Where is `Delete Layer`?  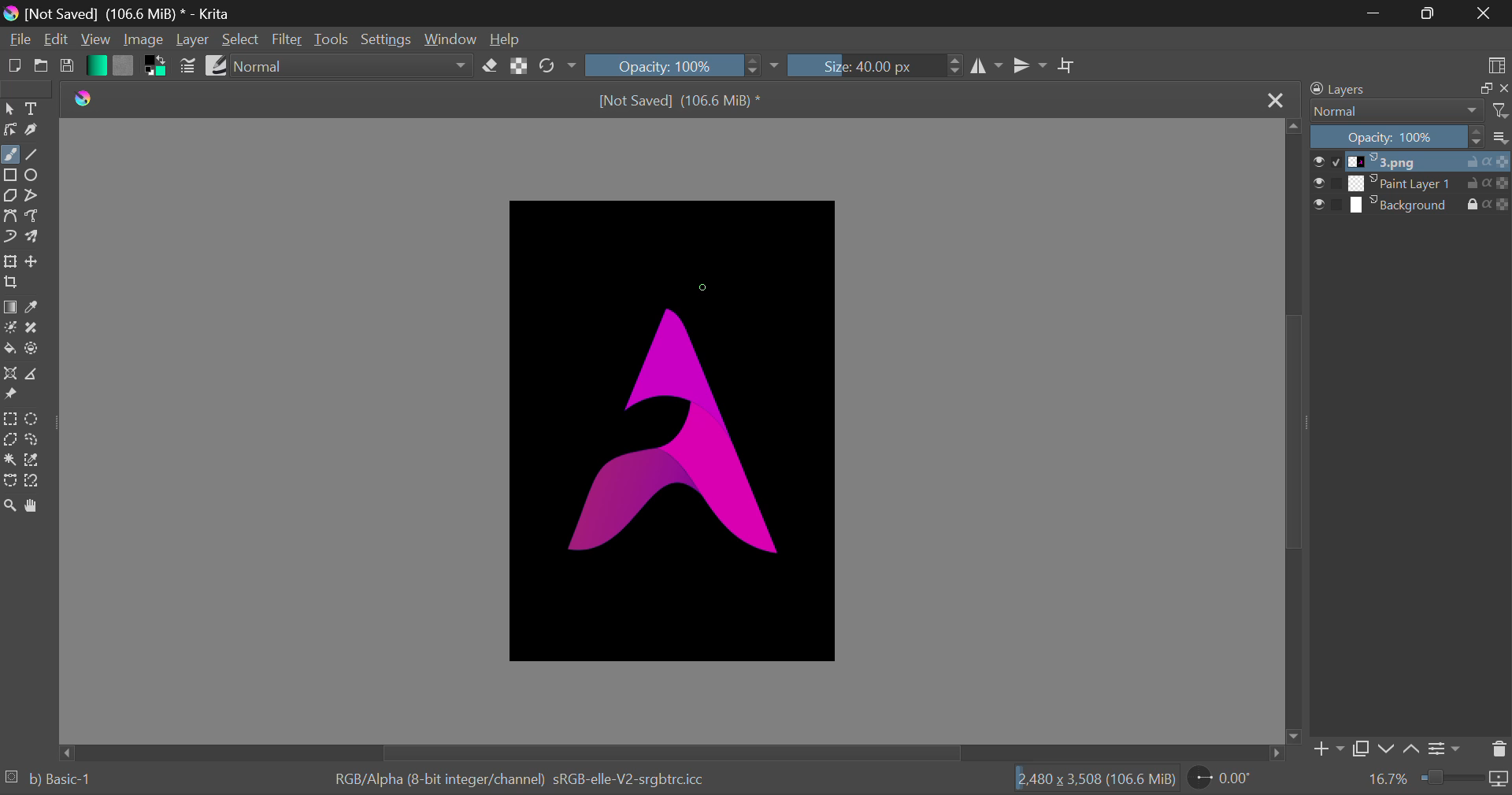 Delete Layer is located at coordinates (1499, 749).